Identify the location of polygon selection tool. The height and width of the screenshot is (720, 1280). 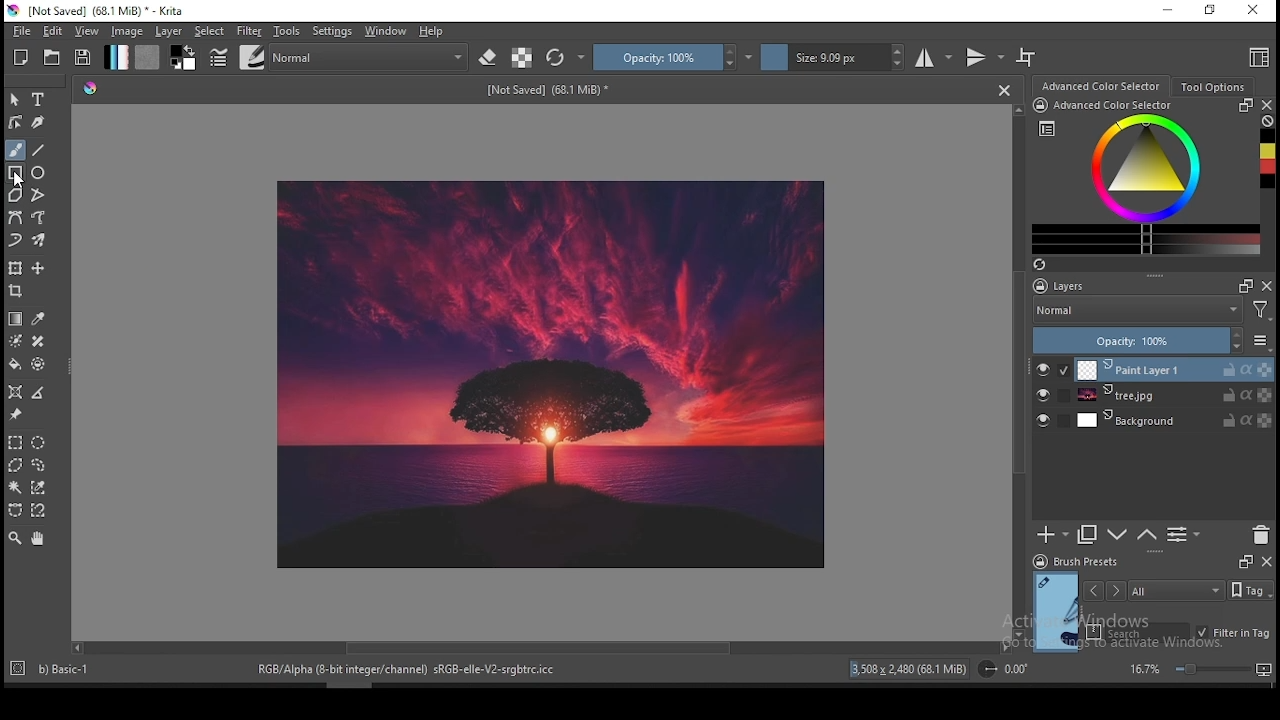
(12, 465).